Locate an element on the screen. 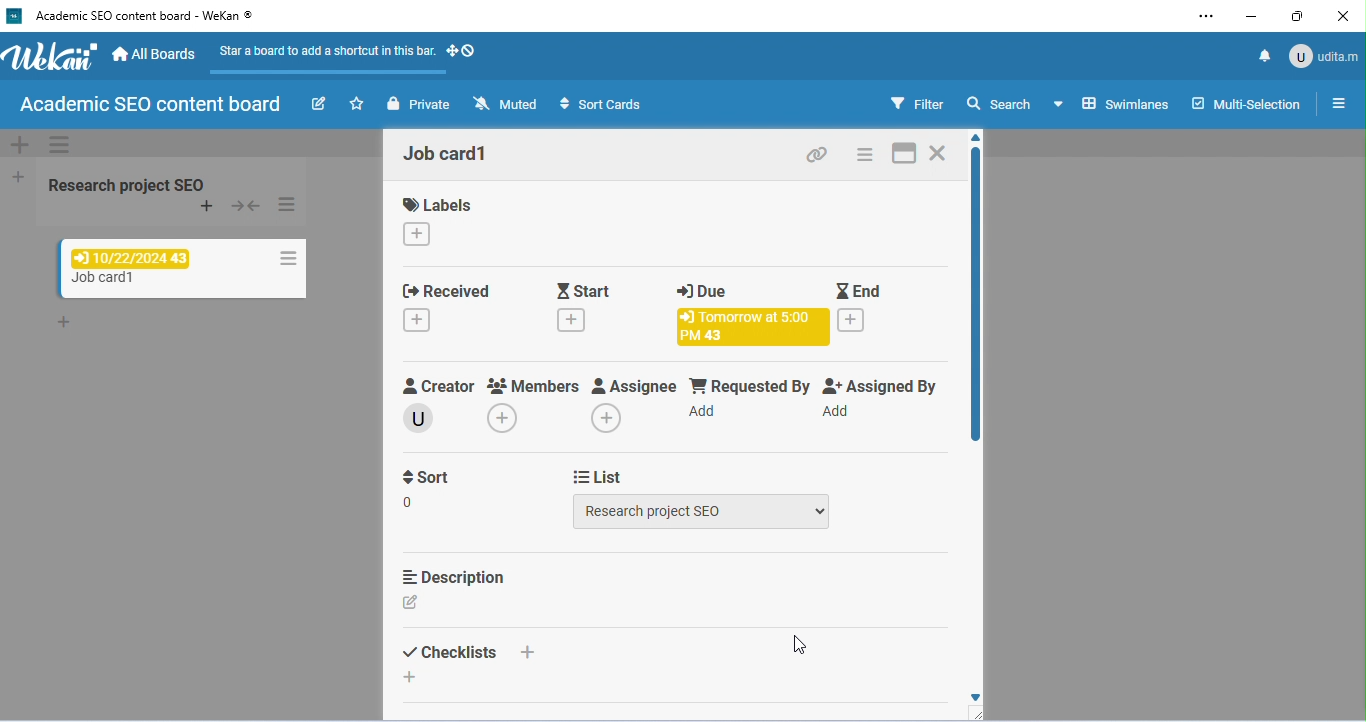  minimize is located at coordinates (1252, 15).